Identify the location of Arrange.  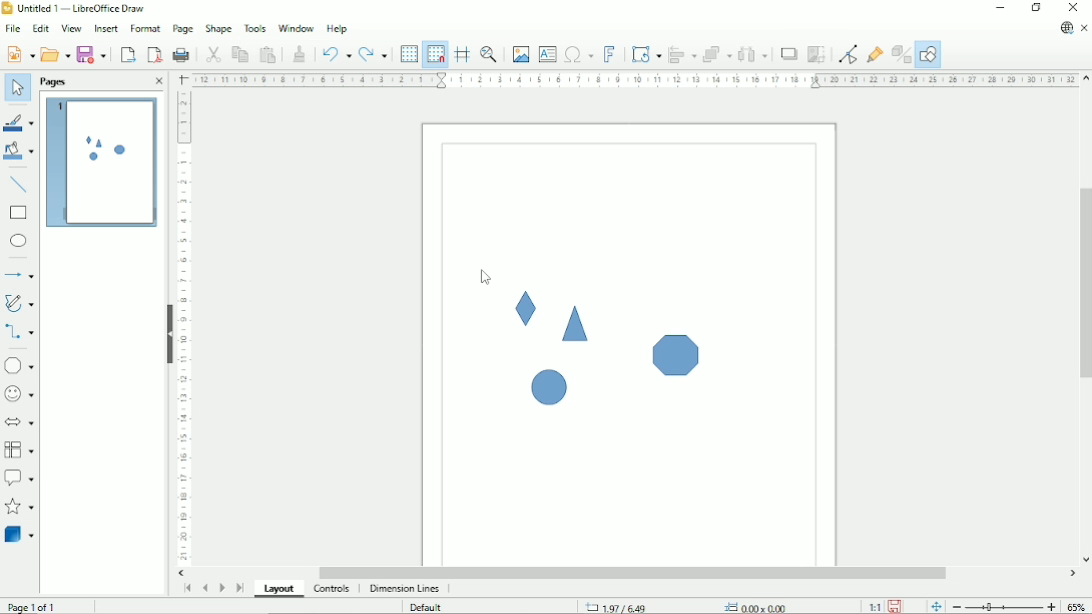
(716, 53).